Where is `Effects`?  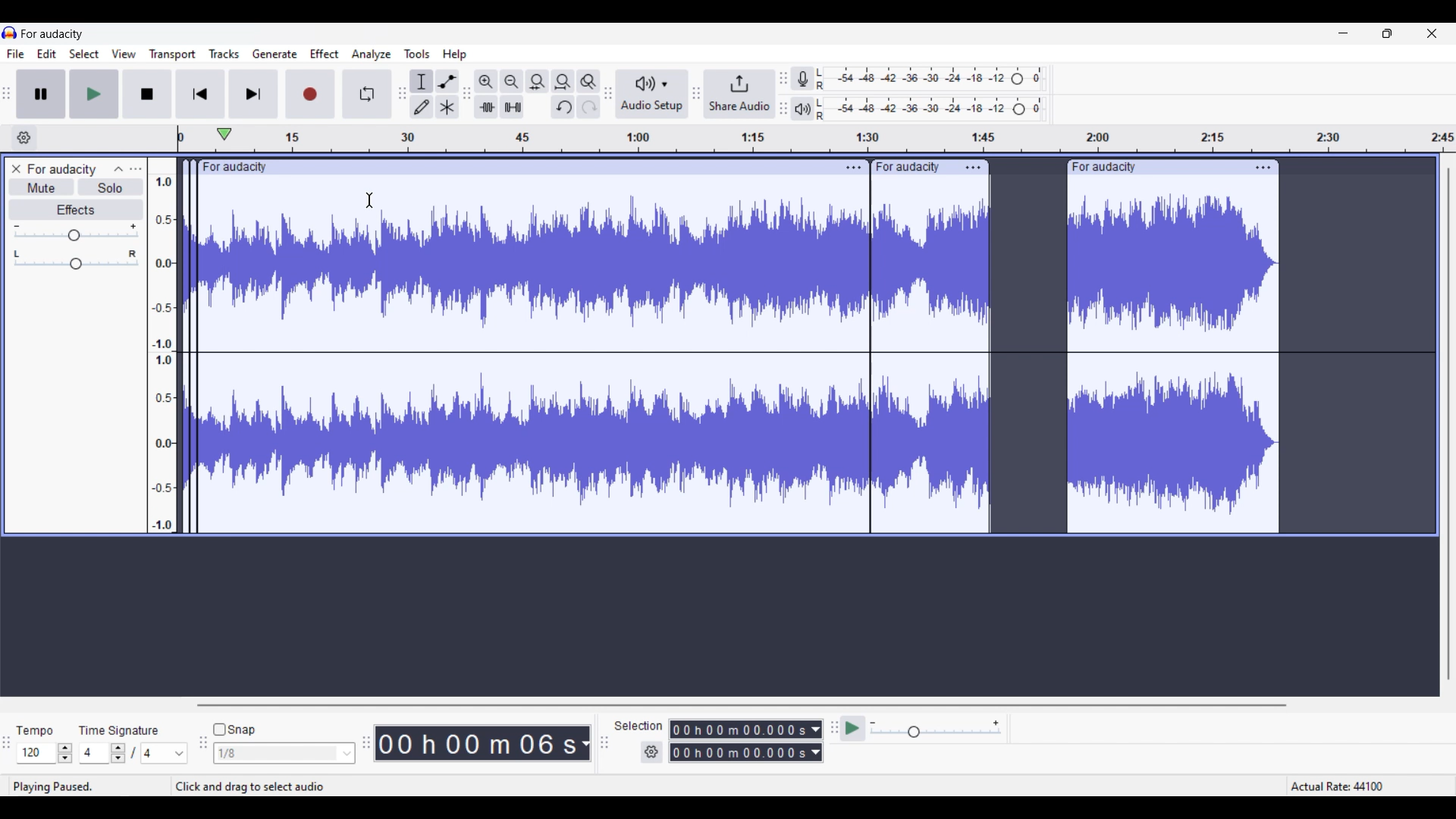
Effects is located at coordinates (77, 210).